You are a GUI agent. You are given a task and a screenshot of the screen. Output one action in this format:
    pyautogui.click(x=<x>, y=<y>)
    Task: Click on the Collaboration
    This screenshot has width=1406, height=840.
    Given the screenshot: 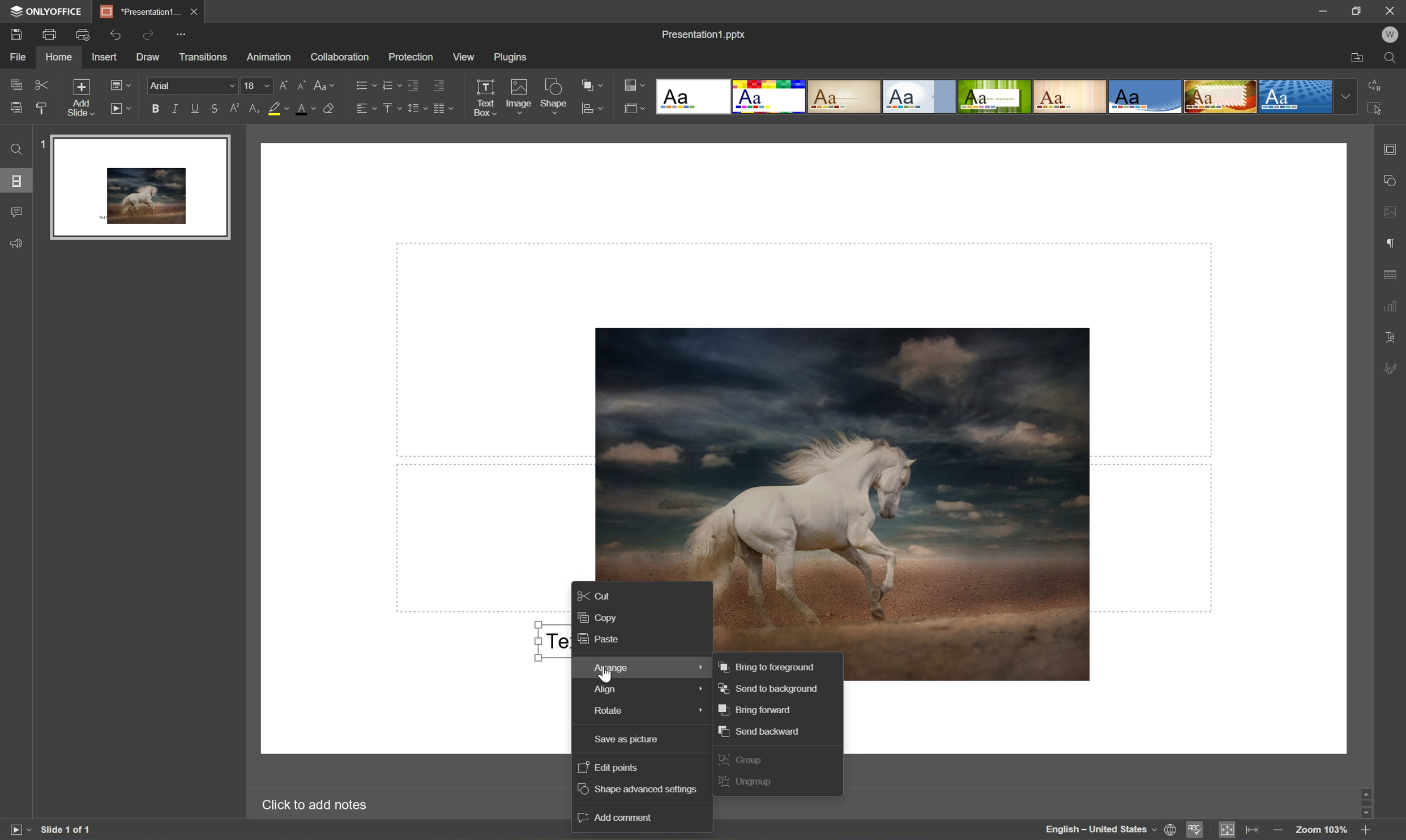 What is the action you would take?
    pyautogui.click(x=340, y=59)
    